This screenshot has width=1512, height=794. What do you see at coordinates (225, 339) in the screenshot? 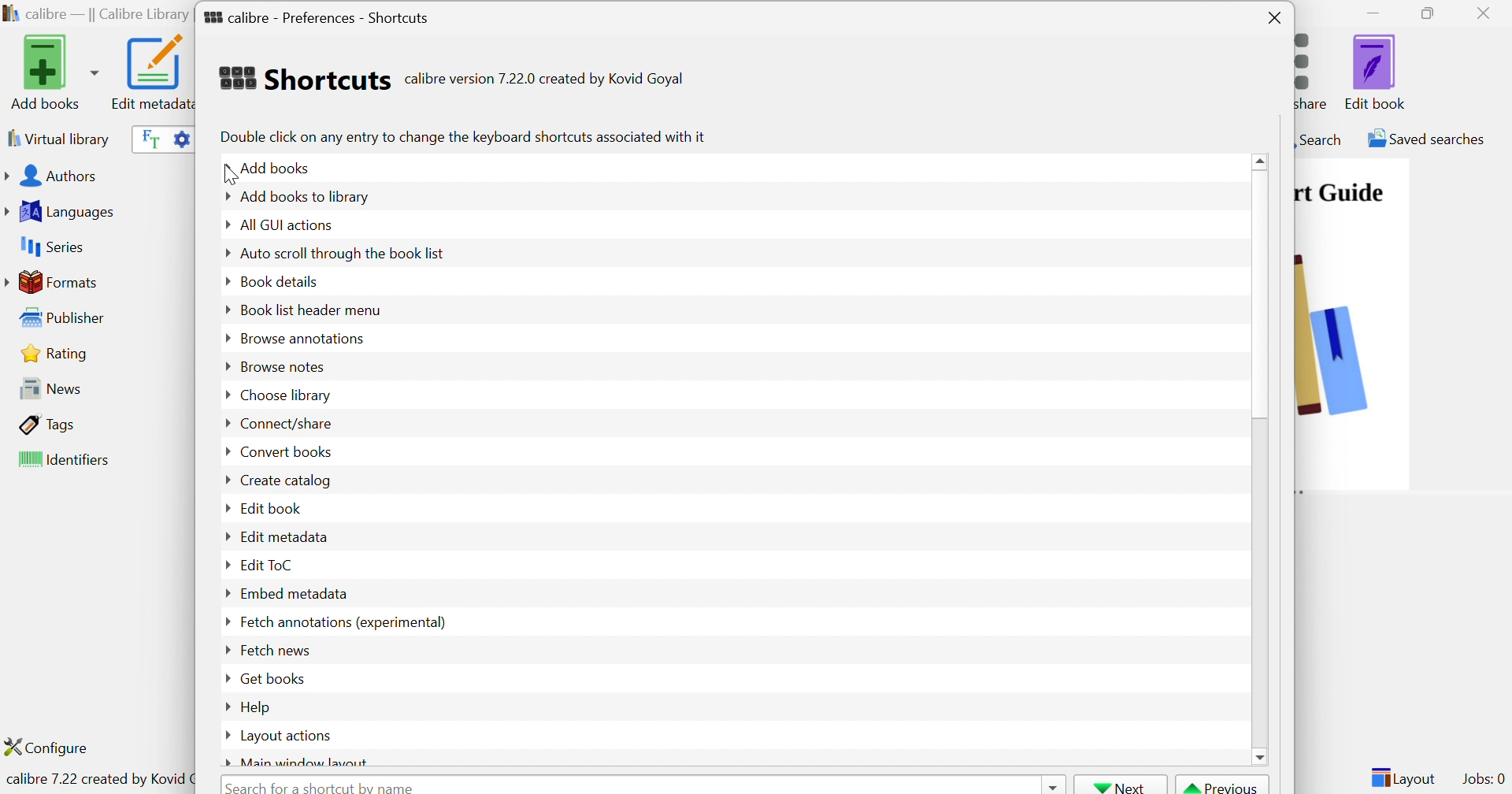
I see `Drop Down` at bounding box center [225, 339].